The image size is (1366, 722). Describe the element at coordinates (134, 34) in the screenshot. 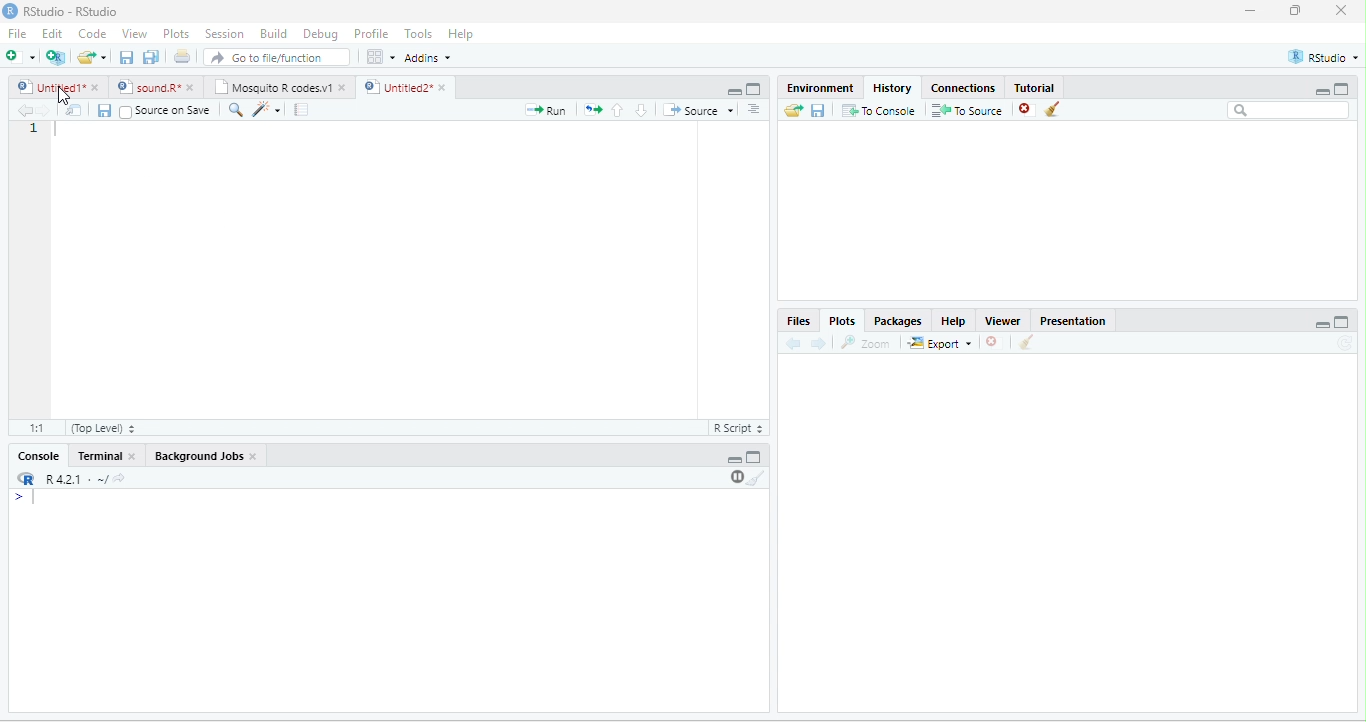

I see `View` at that location.